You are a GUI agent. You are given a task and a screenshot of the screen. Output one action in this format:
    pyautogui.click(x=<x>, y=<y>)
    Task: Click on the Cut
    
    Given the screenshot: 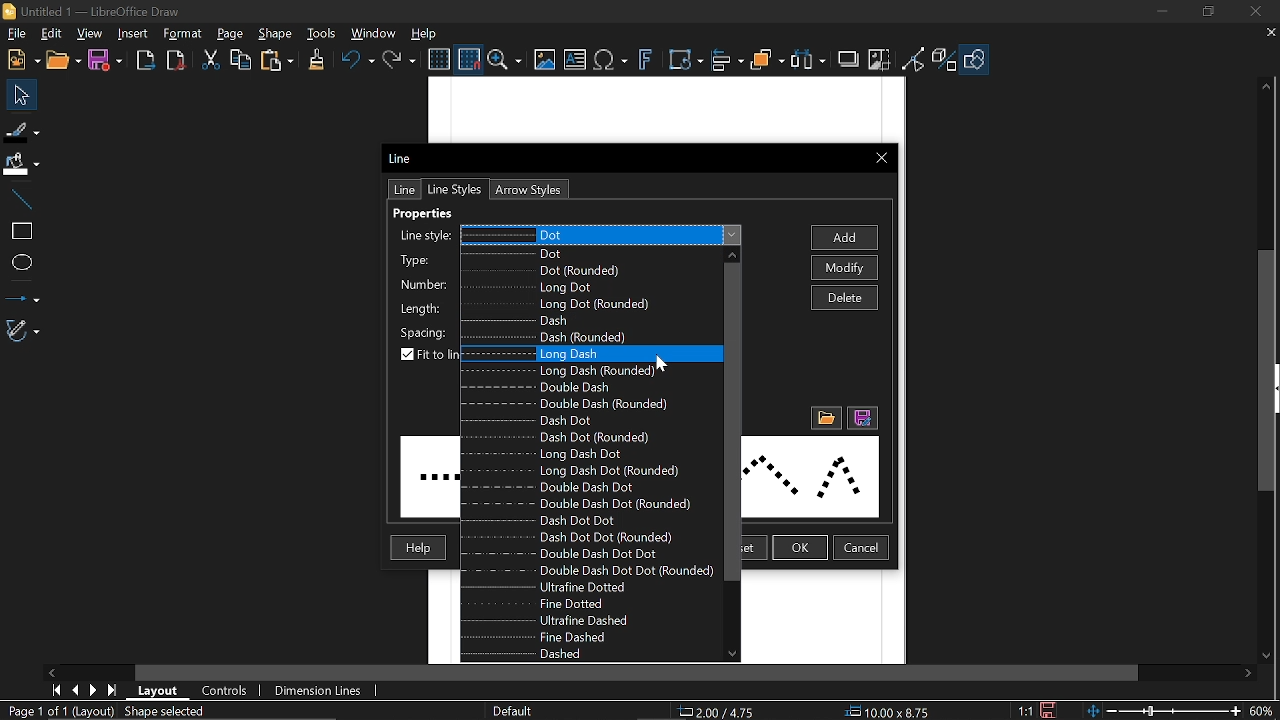 What is the action you would take?
    pyautogui.click(x=212, y=61)
    